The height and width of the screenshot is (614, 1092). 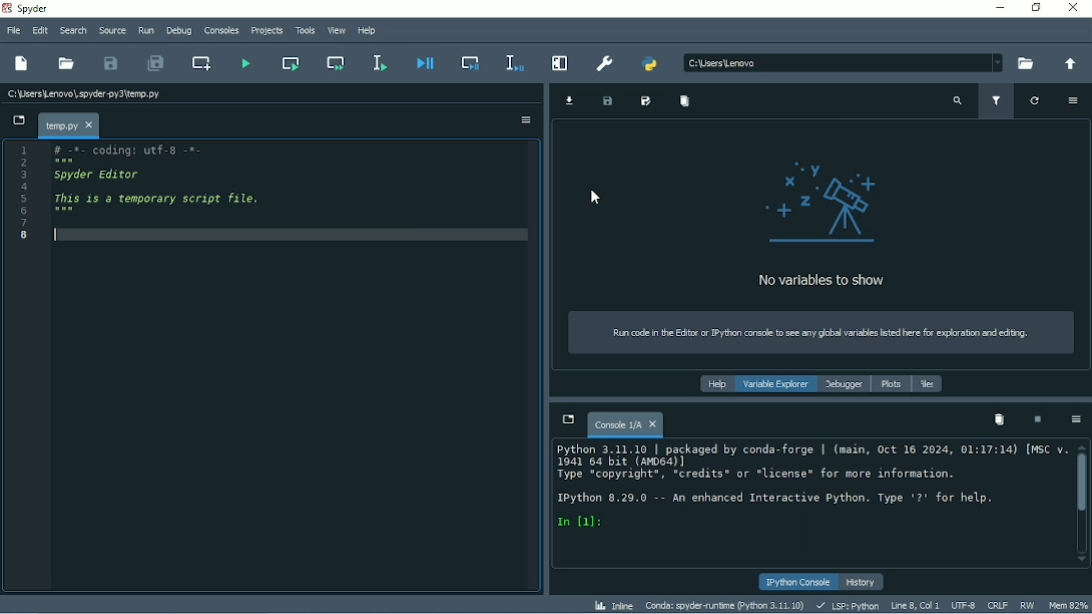 I want to click on Preferences, so click(x=605, y=63).